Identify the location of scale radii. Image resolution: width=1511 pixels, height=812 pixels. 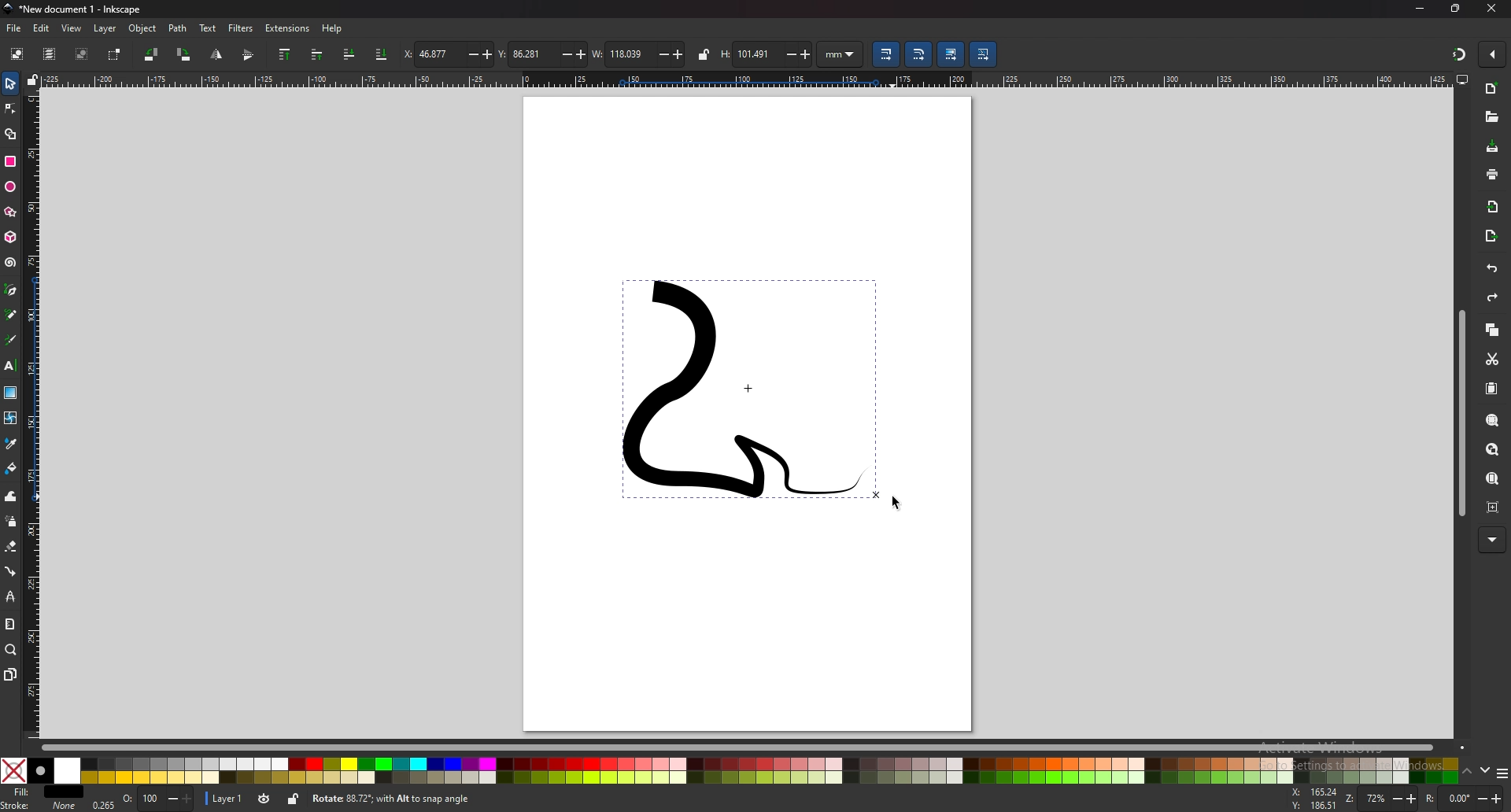
(918, 54).